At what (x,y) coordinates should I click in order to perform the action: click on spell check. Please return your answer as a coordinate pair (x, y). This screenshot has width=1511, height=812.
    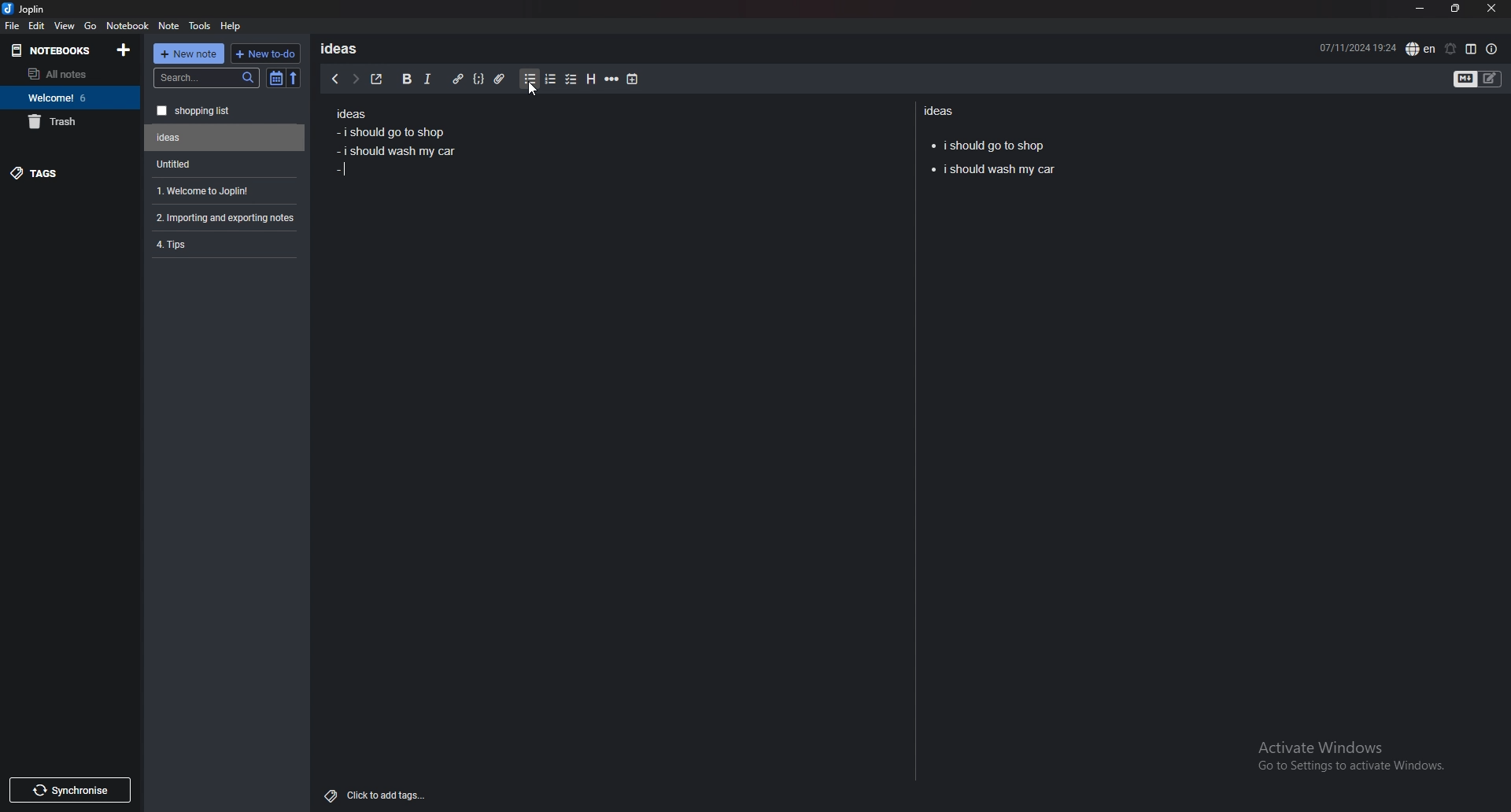
    Looking at the image, I should click on (1420, 49).